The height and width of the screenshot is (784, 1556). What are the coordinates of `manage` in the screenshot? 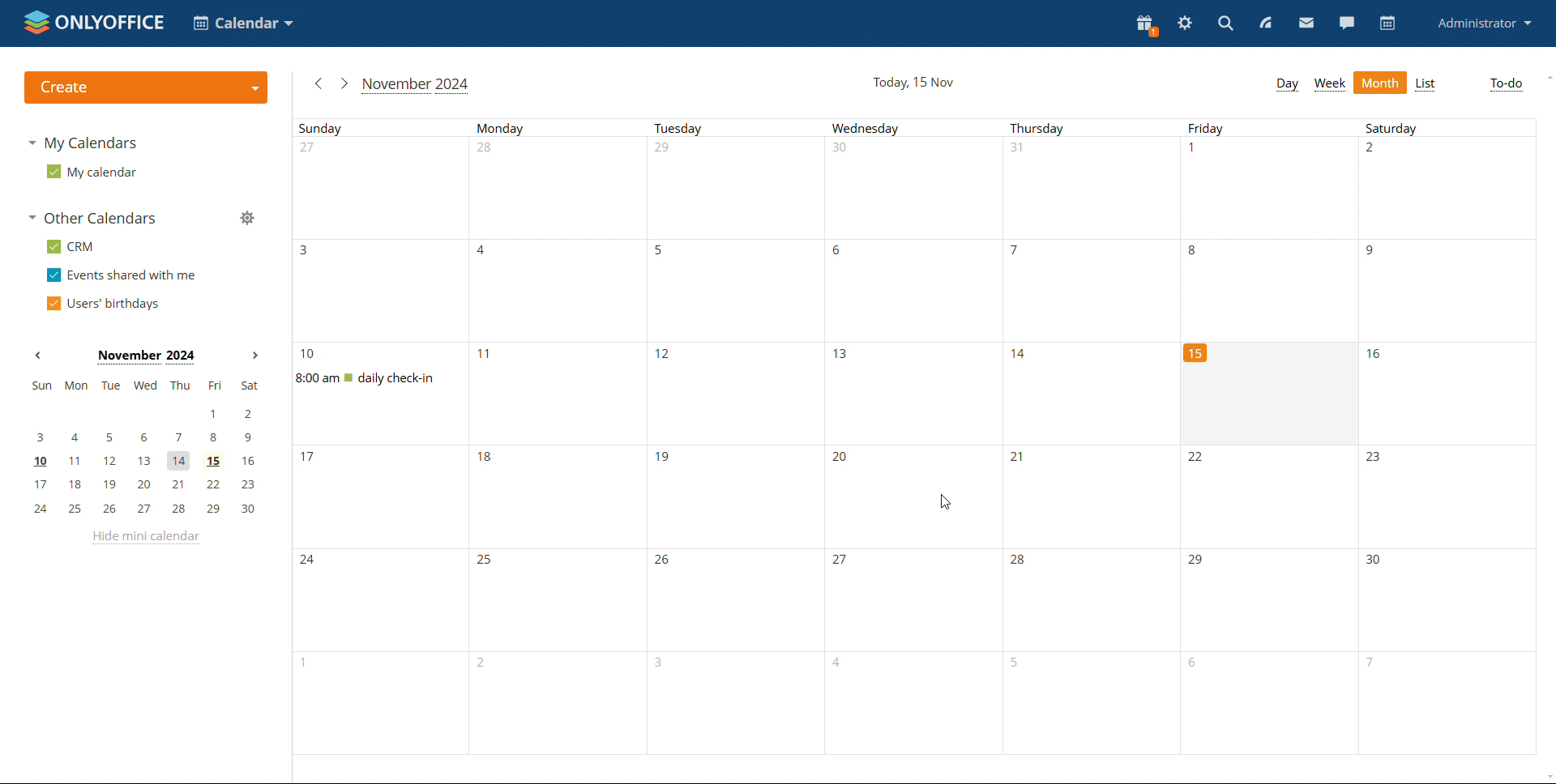 It's located at (246, 217).